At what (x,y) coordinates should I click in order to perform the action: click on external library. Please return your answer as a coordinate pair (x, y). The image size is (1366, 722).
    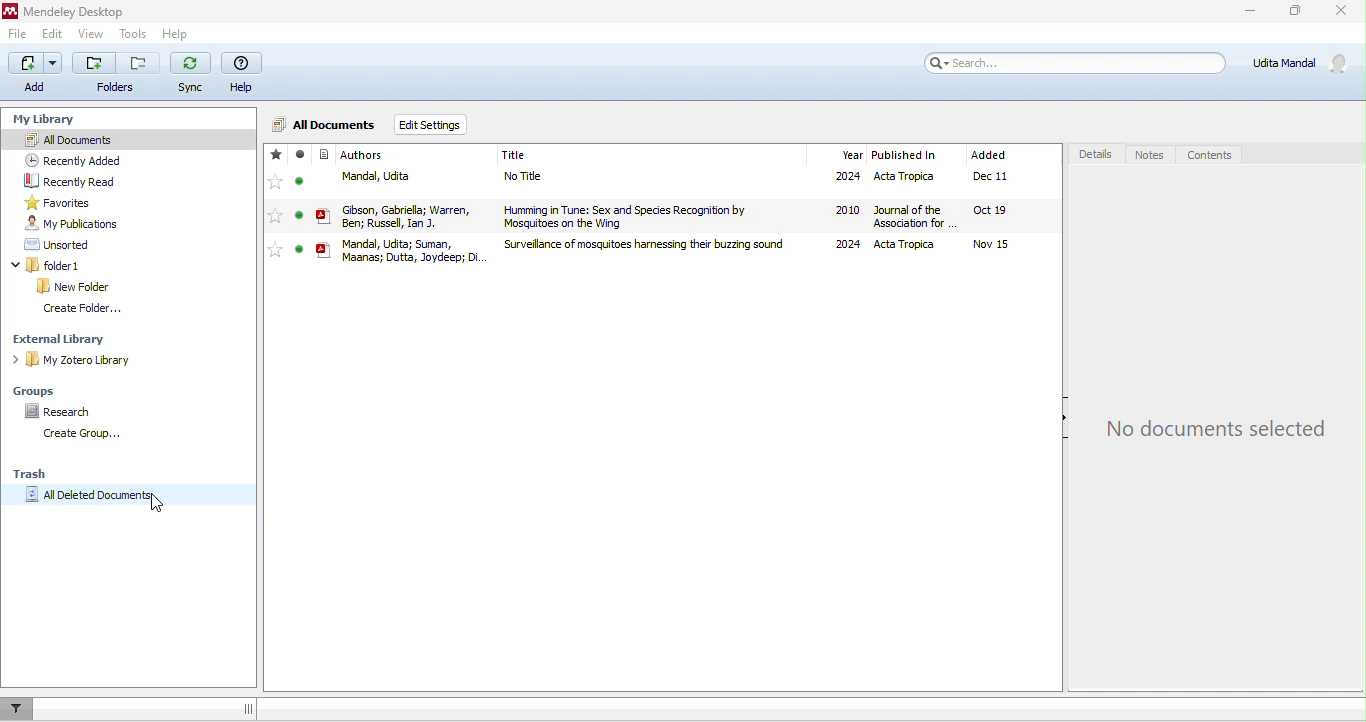
    Looking at the image, I should click on (64, 337).